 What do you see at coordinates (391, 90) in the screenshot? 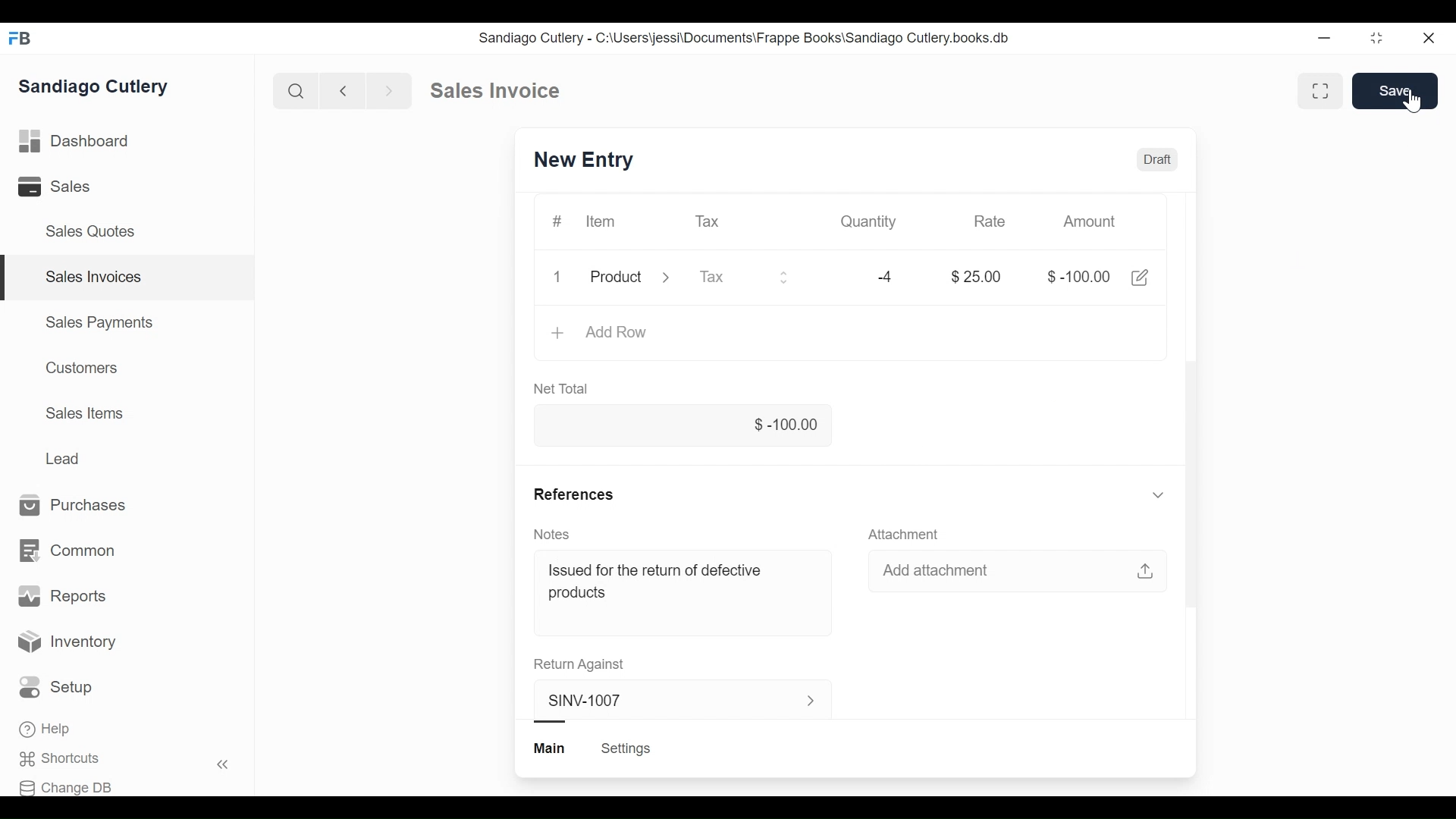
I see `Next` at bounding box center [391, 90].